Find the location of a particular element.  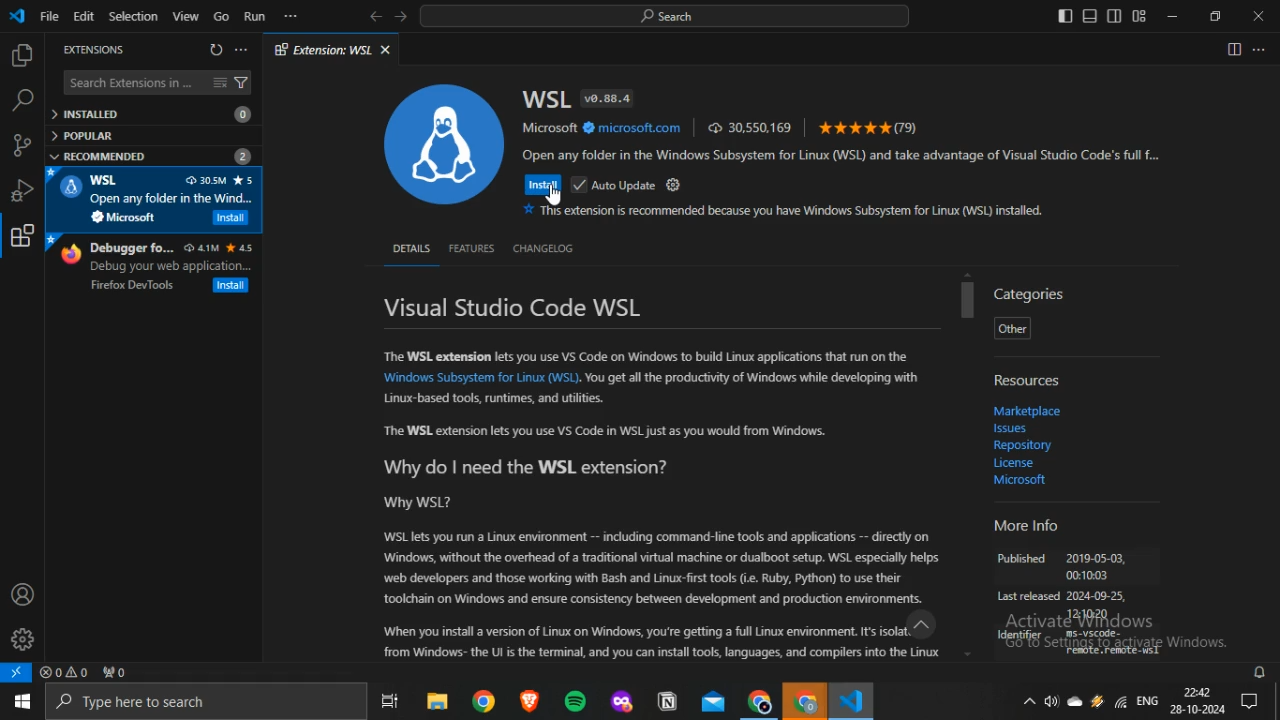

toggle panel is located at coordinates (1089, 15).